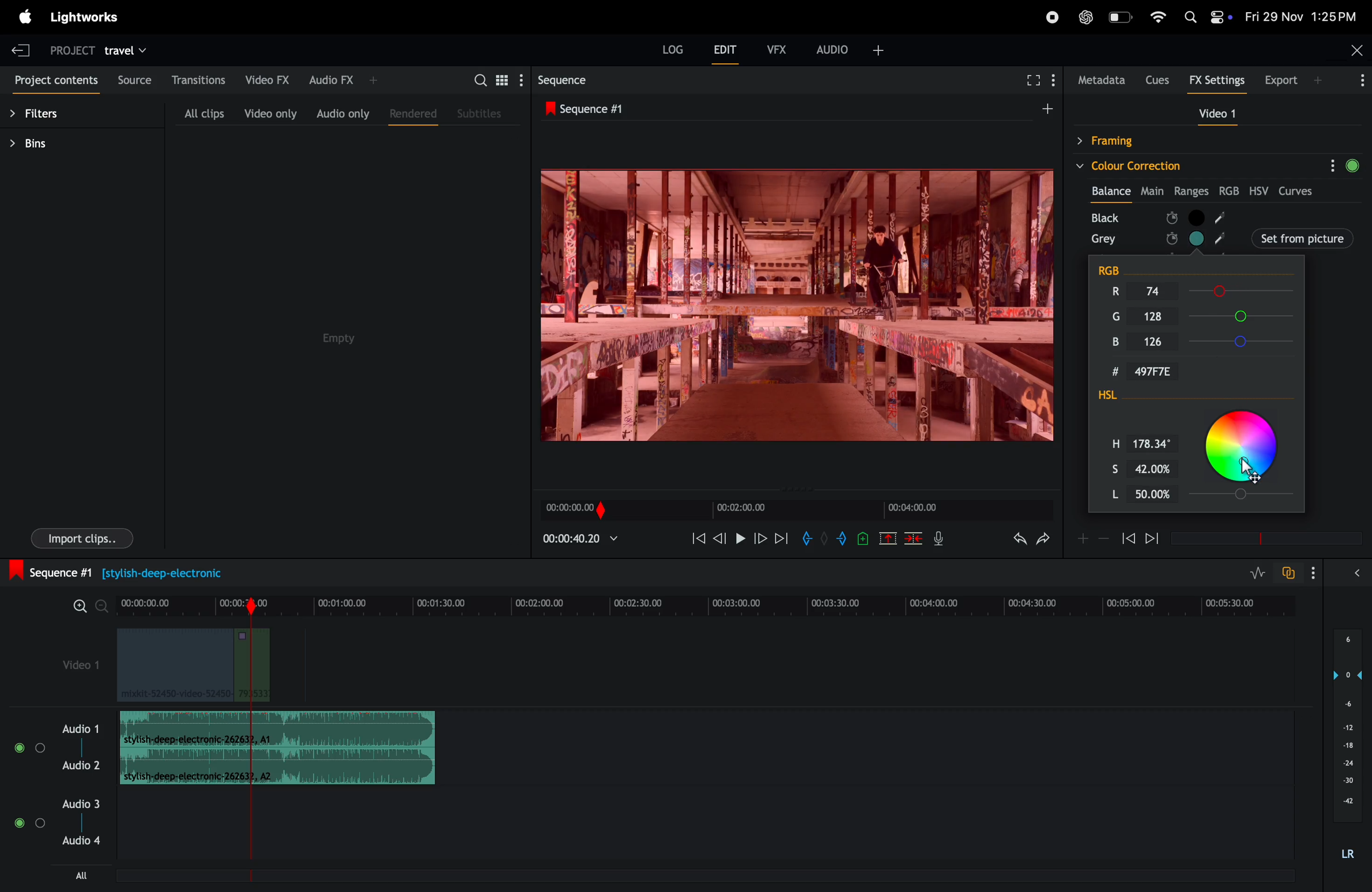  What do you see at coordinates (1111, 189) in the screenshot?
I see `balance` at bounding box center [1111, 189].